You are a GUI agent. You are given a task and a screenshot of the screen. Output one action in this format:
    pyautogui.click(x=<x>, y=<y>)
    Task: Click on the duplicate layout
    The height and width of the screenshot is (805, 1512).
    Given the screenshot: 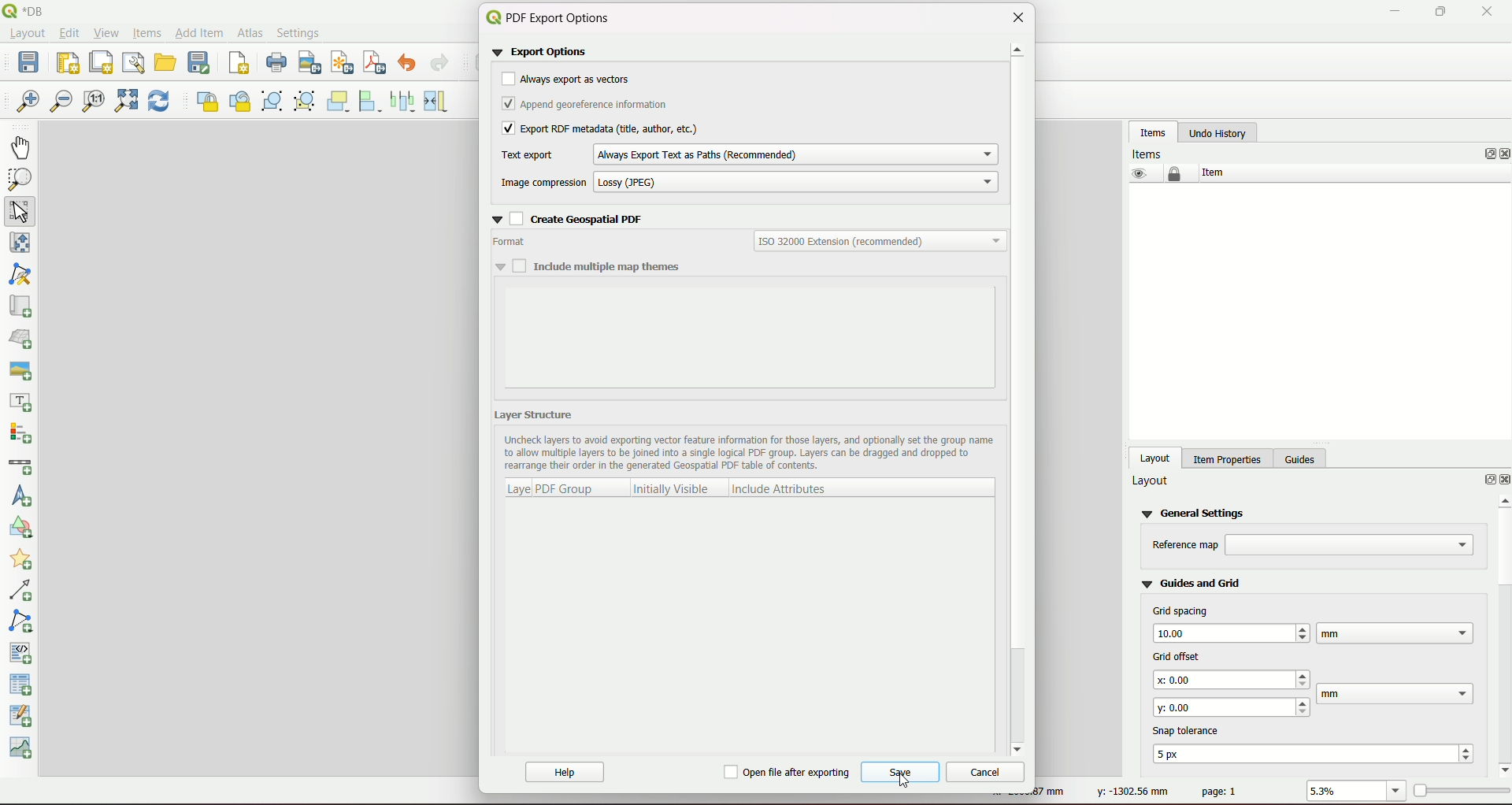 What is the action you would take?
    pyautogui.click(x=101, y=61)
    